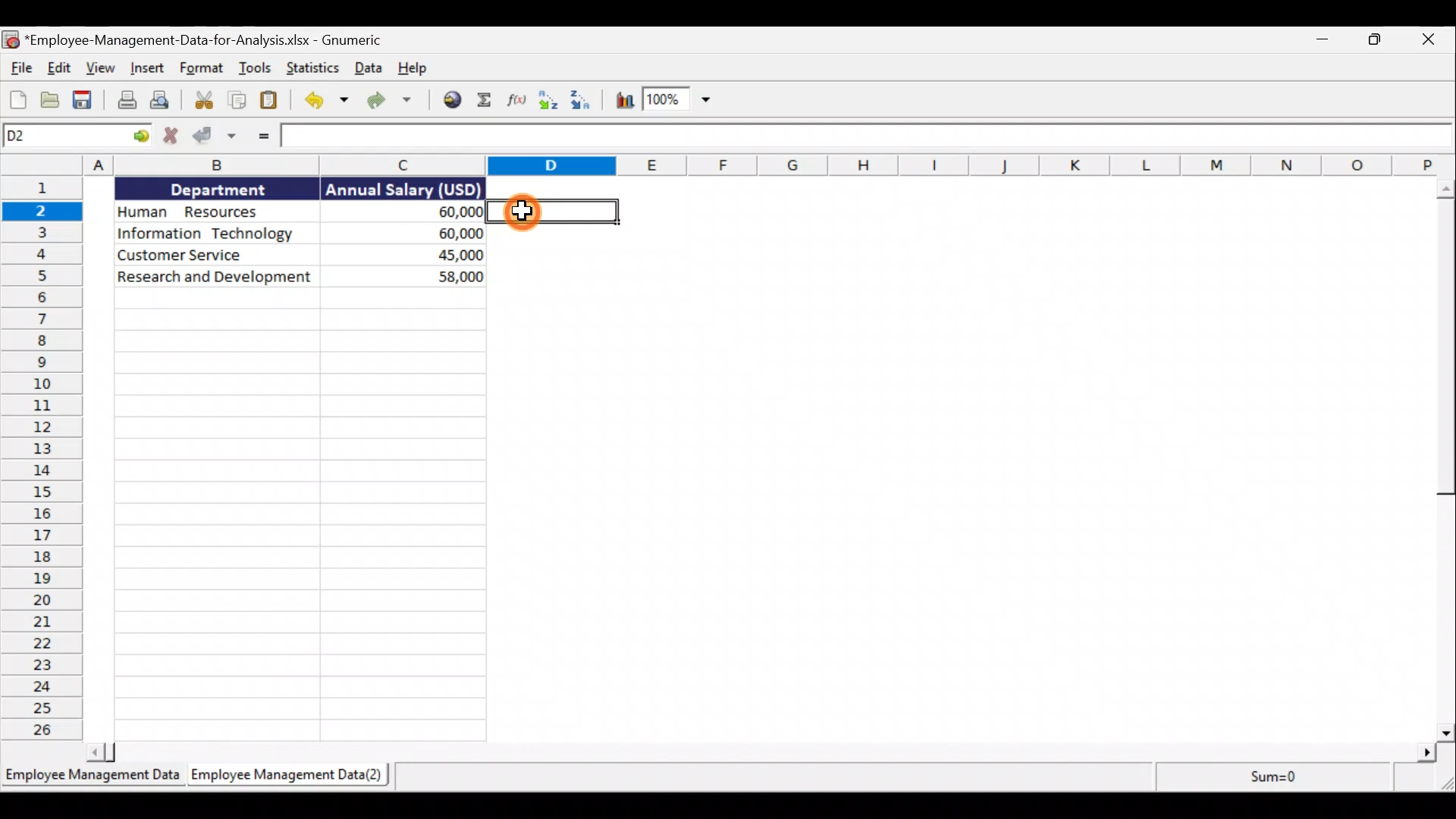 This screenshot has height=819, width=1456. Describe the element at coordinates (516, 102) in the screenshot. I see `Edit a function in the current cell` at that location.